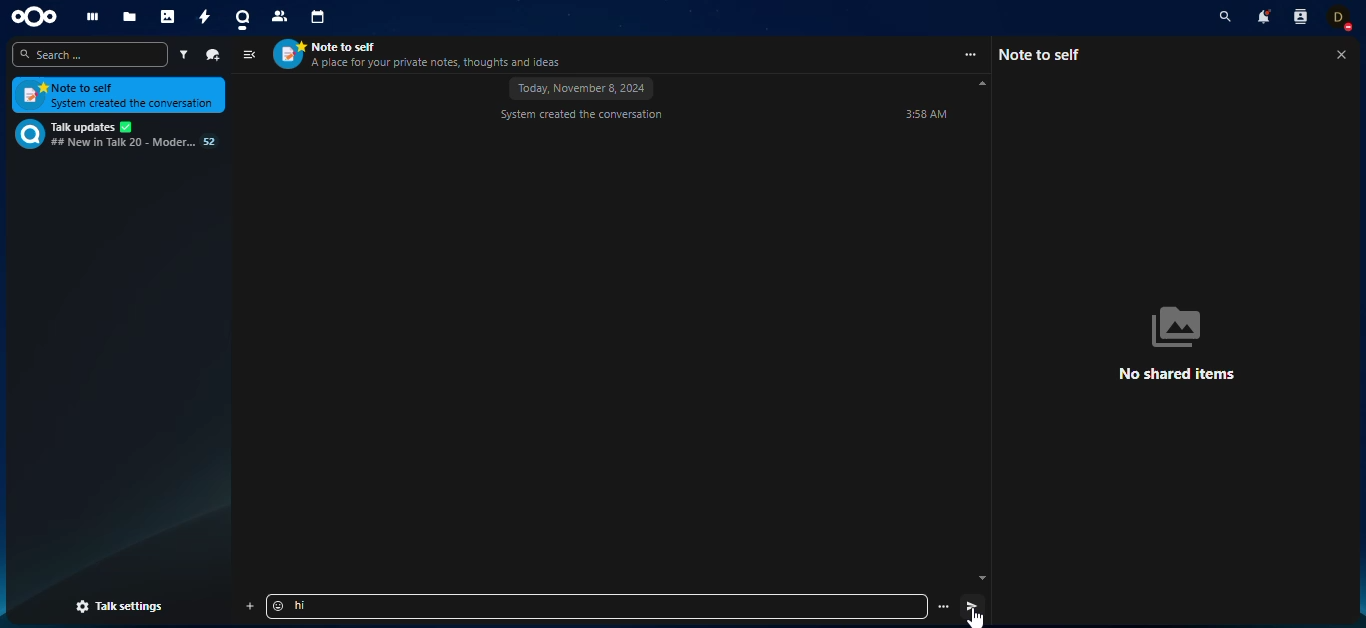 The width and height of the screenshot is (1366, 628). What do you see at coordinates (129, 17) in the screenshot?
I see `files` at bounding box center [129, 17].